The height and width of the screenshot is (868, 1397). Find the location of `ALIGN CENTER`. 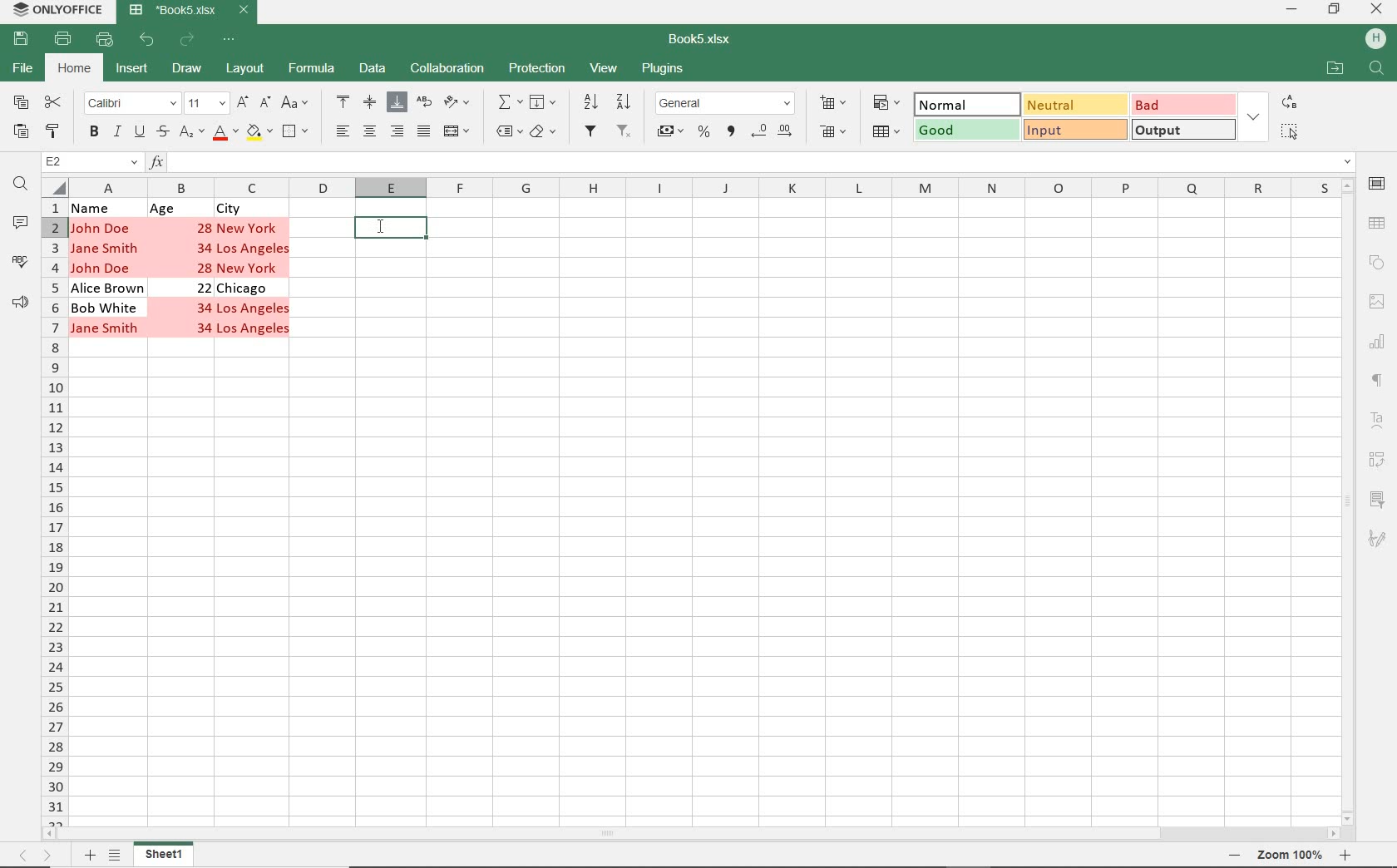

ALIGN CENTER is located at coordinates (369, 132).